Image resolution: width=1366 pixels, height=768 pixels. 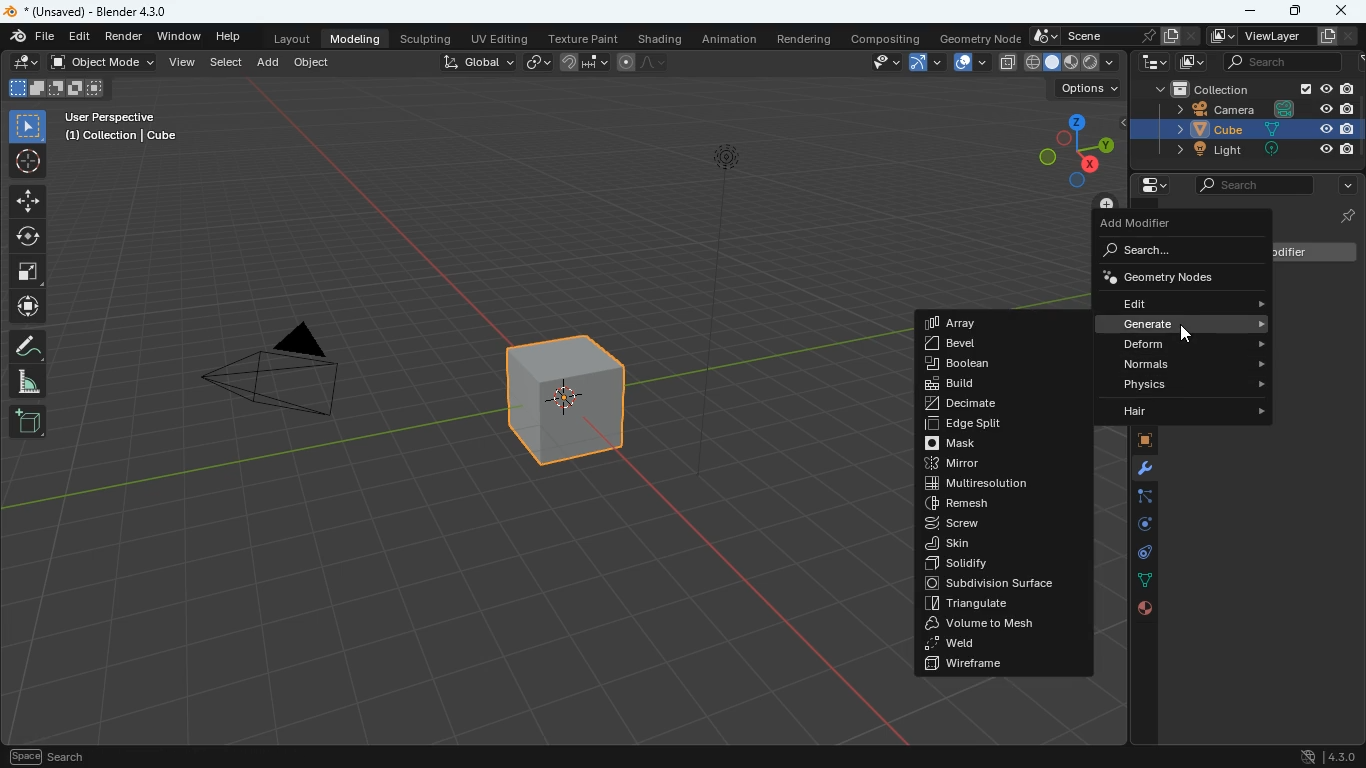 I want to click on tech, so click(x=1147, y=63).